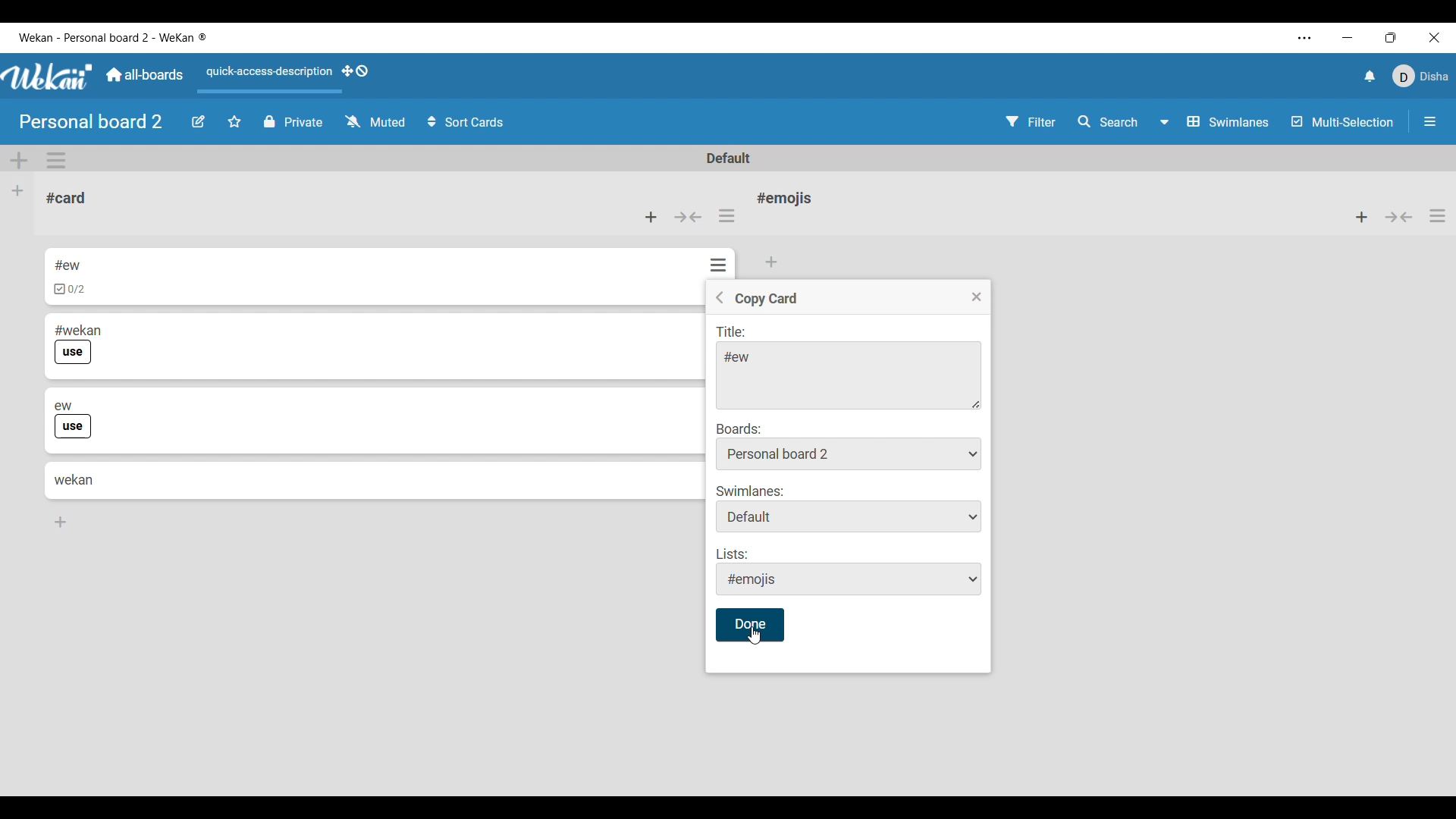 The width and height of the screenshot is (1456, 819). Describe the element at coordinates (851, 572) in the screenshot. I see `Lists:` at that location.